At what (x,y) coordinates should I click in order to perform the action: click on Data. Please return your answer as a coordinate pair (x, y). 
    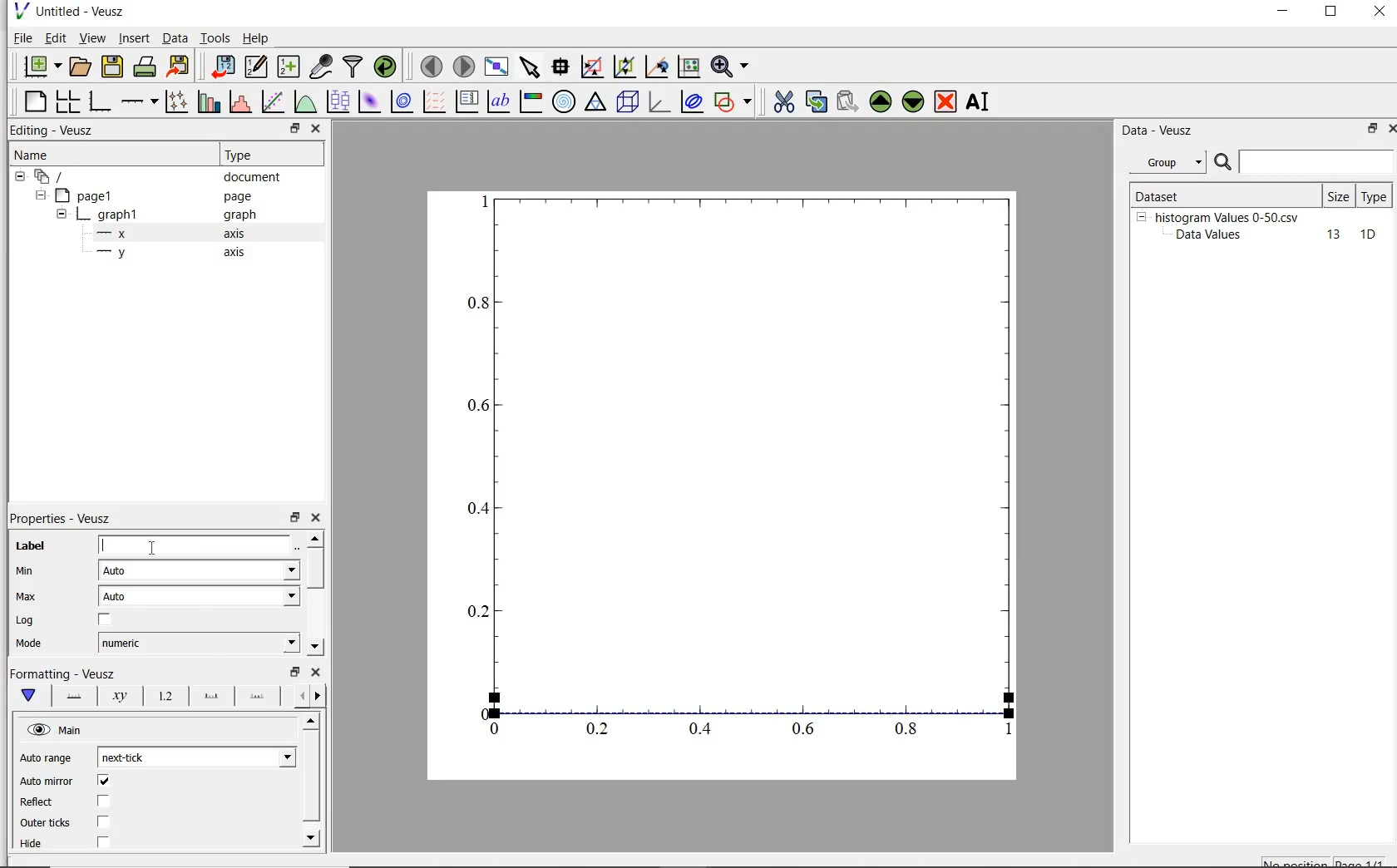
    Looking at the image, I should click on (175, 37).